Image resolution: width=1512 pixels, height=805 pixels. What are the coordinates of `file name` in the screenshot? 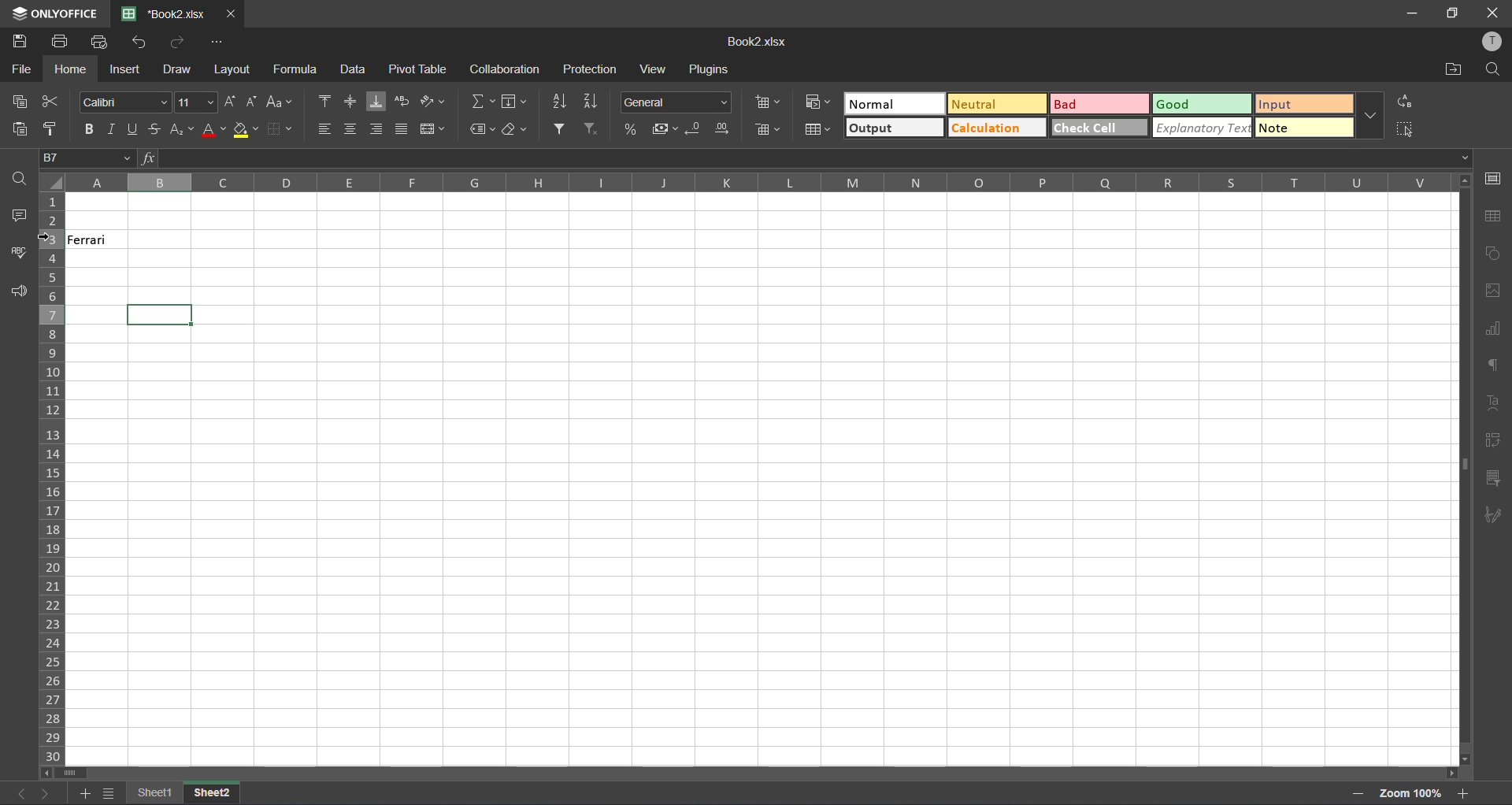 It's located at (759, 42).